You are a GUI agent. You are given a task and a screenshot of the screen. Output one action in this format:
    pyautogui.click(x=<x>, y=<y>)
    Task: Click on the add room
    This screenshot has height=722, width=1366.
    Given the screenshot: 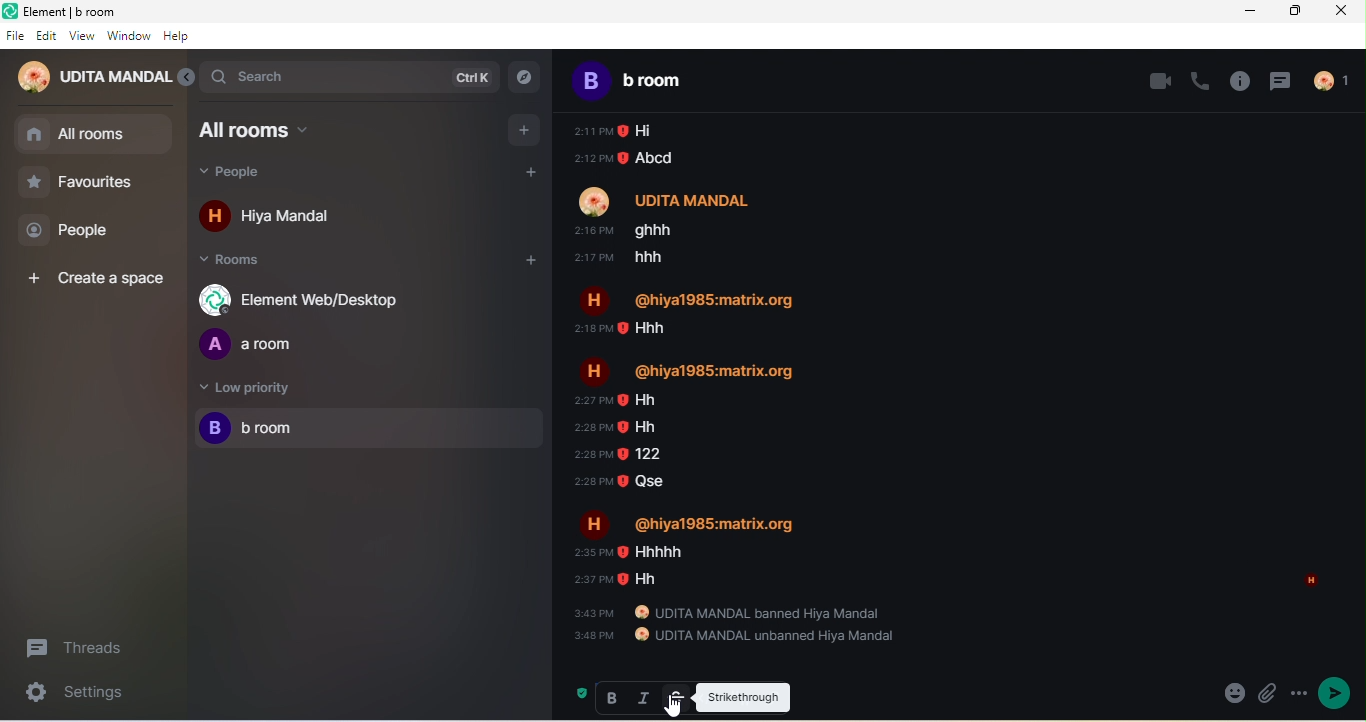 What is the action you would take?
    pyautogui.click(x=519, y=264)
    